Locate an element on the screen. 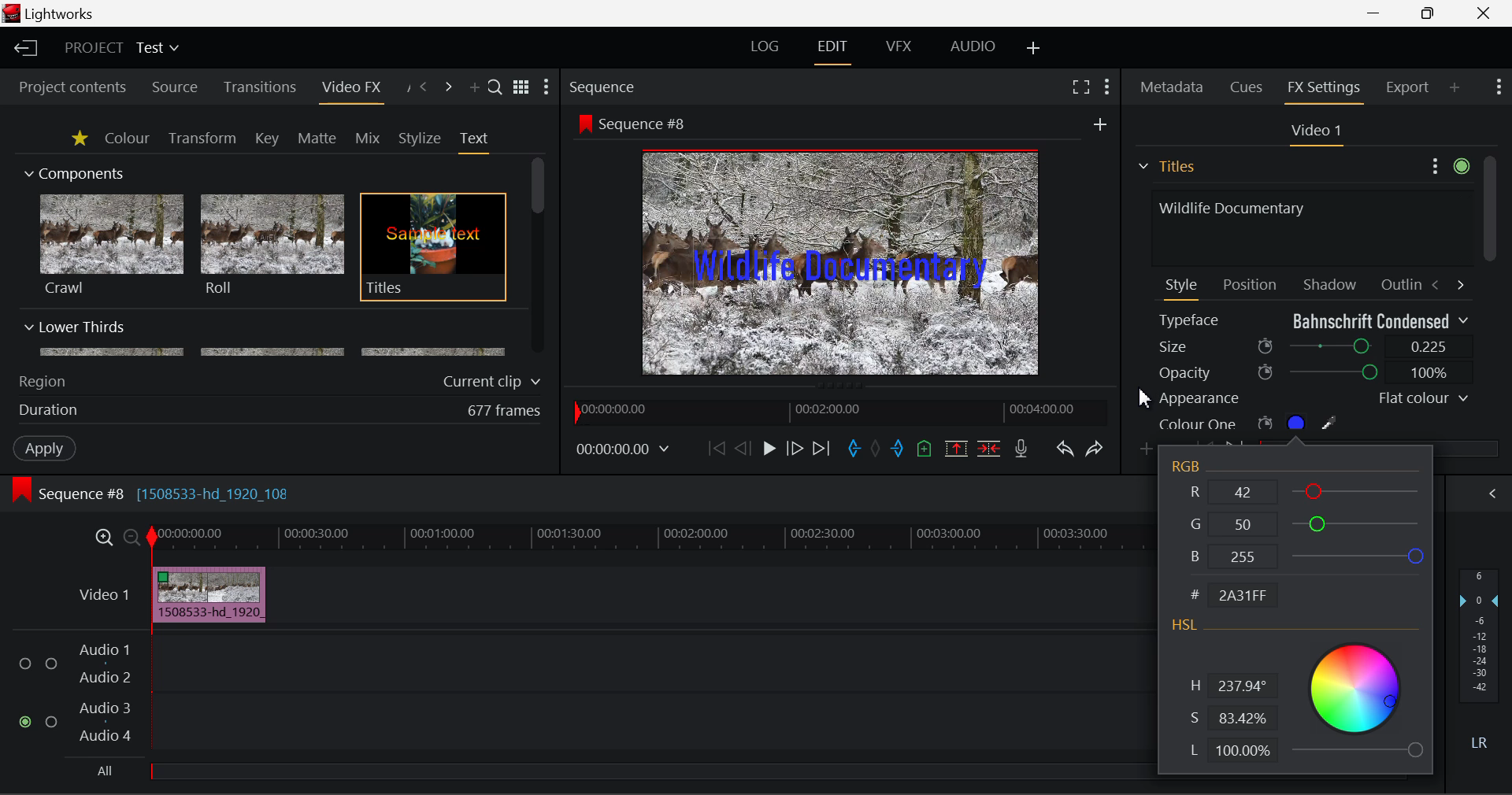 The width and height of the screenshot is (1512, 795). Audio Input is located at coordinates (646, 695).